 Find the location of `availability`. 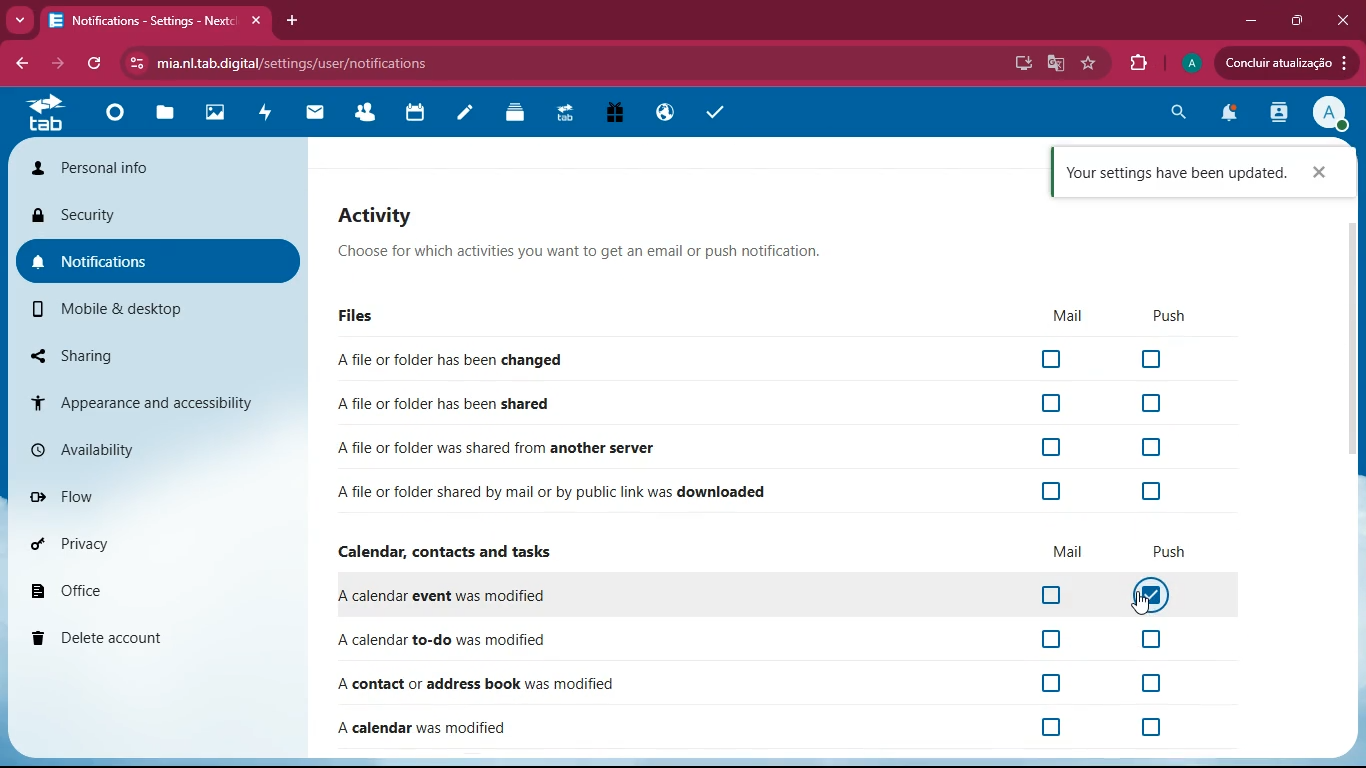

availability is located at coordinates (156, 450).